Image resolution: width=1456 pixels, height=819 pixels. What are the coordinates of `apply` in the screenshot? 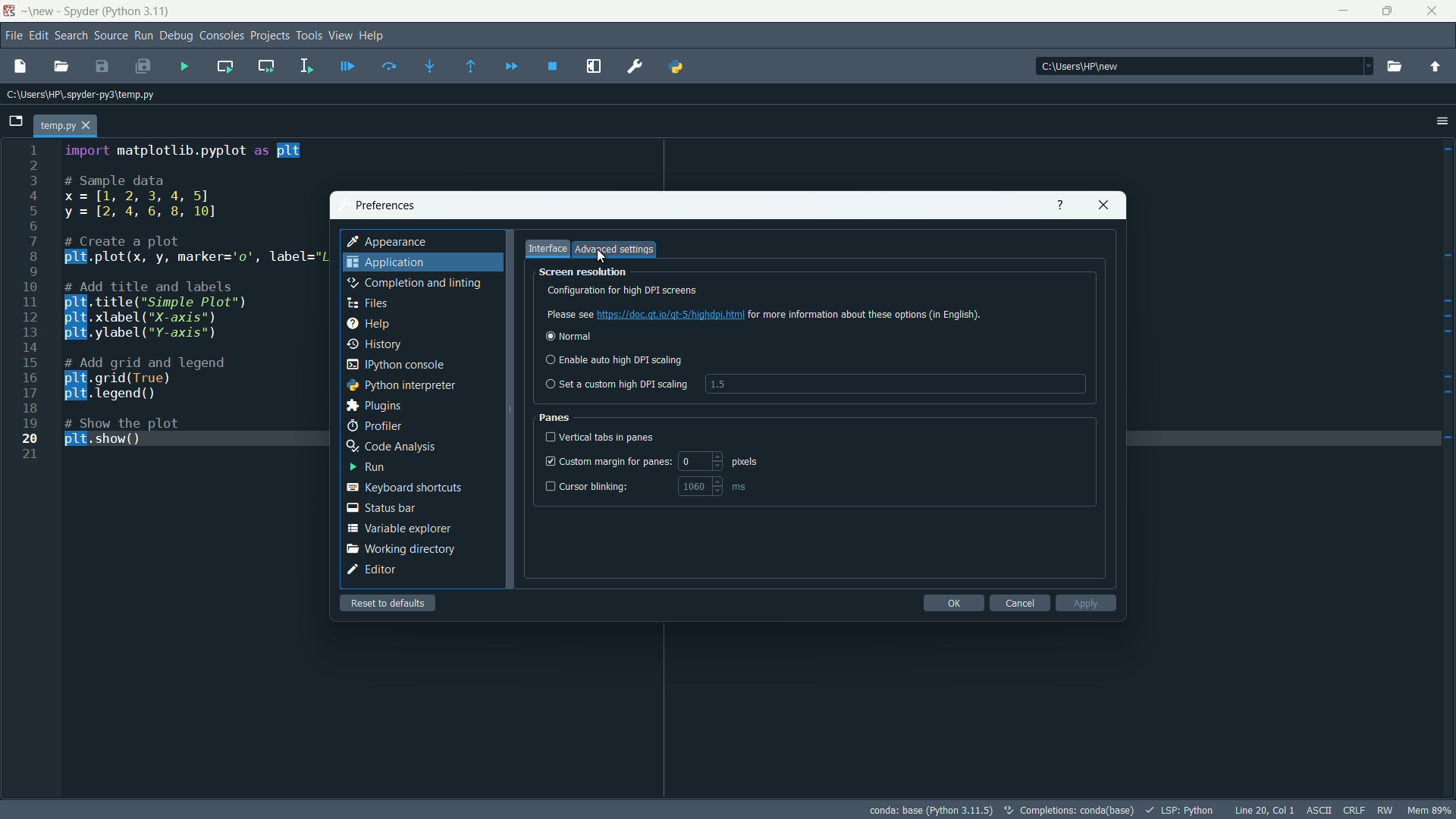 It's located at (1086, 603).